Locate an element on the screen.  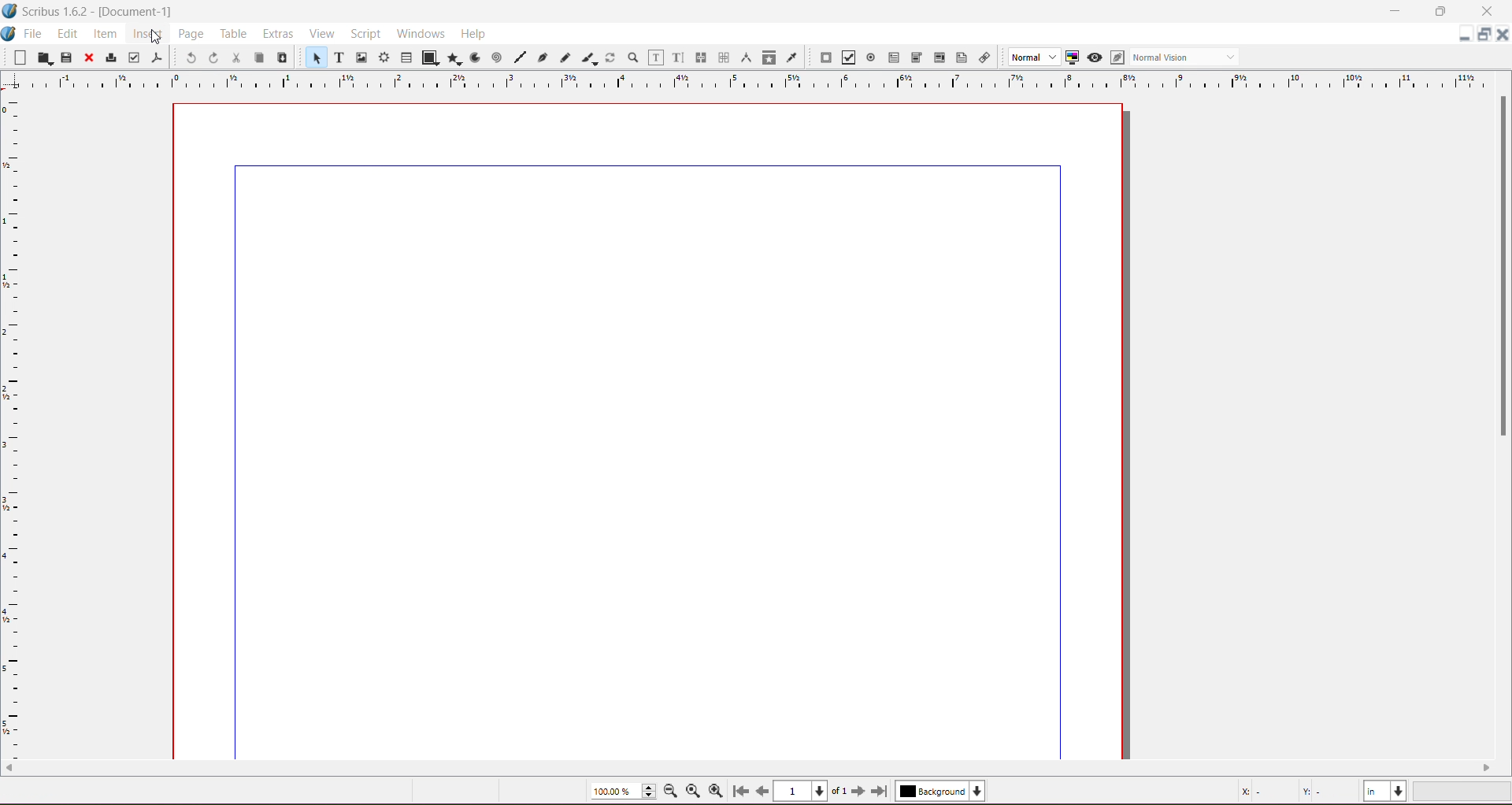
Edit Text with Story Editor is located at coordinates (678, 57).